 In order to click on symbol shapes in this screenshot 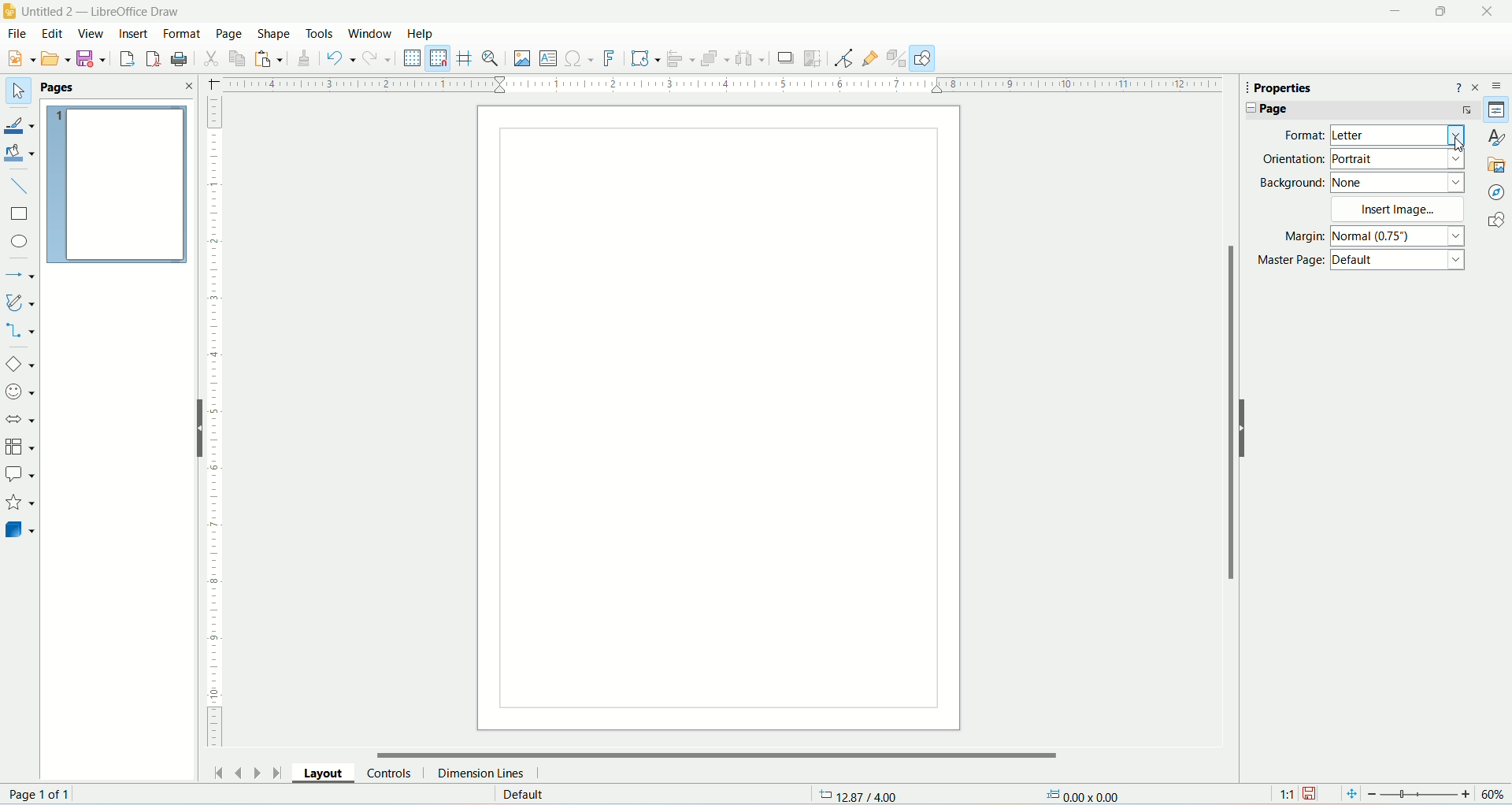, I will do `click(20, 392)`.